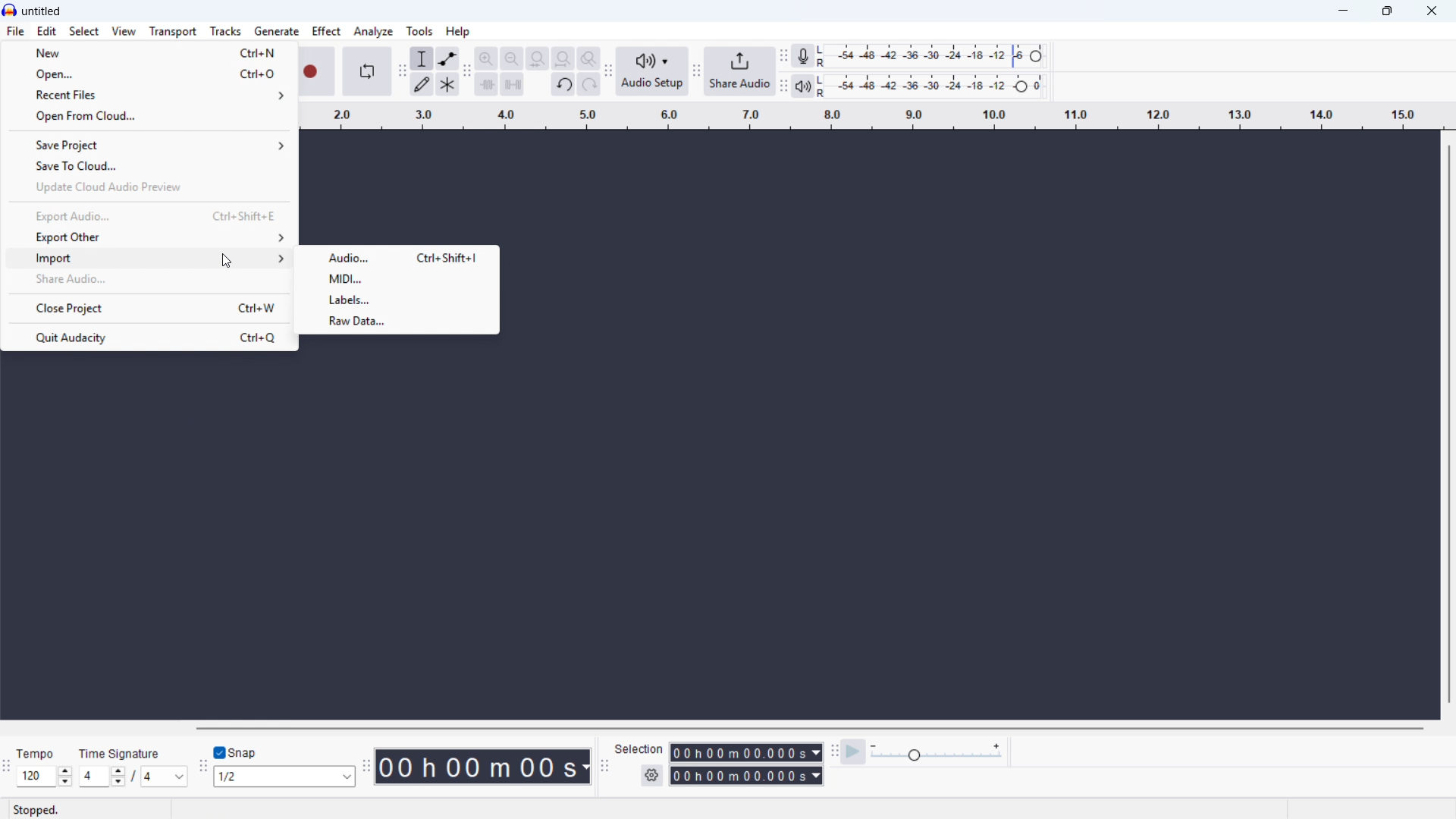 This screenshot has height=819, width=1456. What do you see at coordinates (16, 33) in the screenshot?
I see `file ` at bounding box center [16, 33].